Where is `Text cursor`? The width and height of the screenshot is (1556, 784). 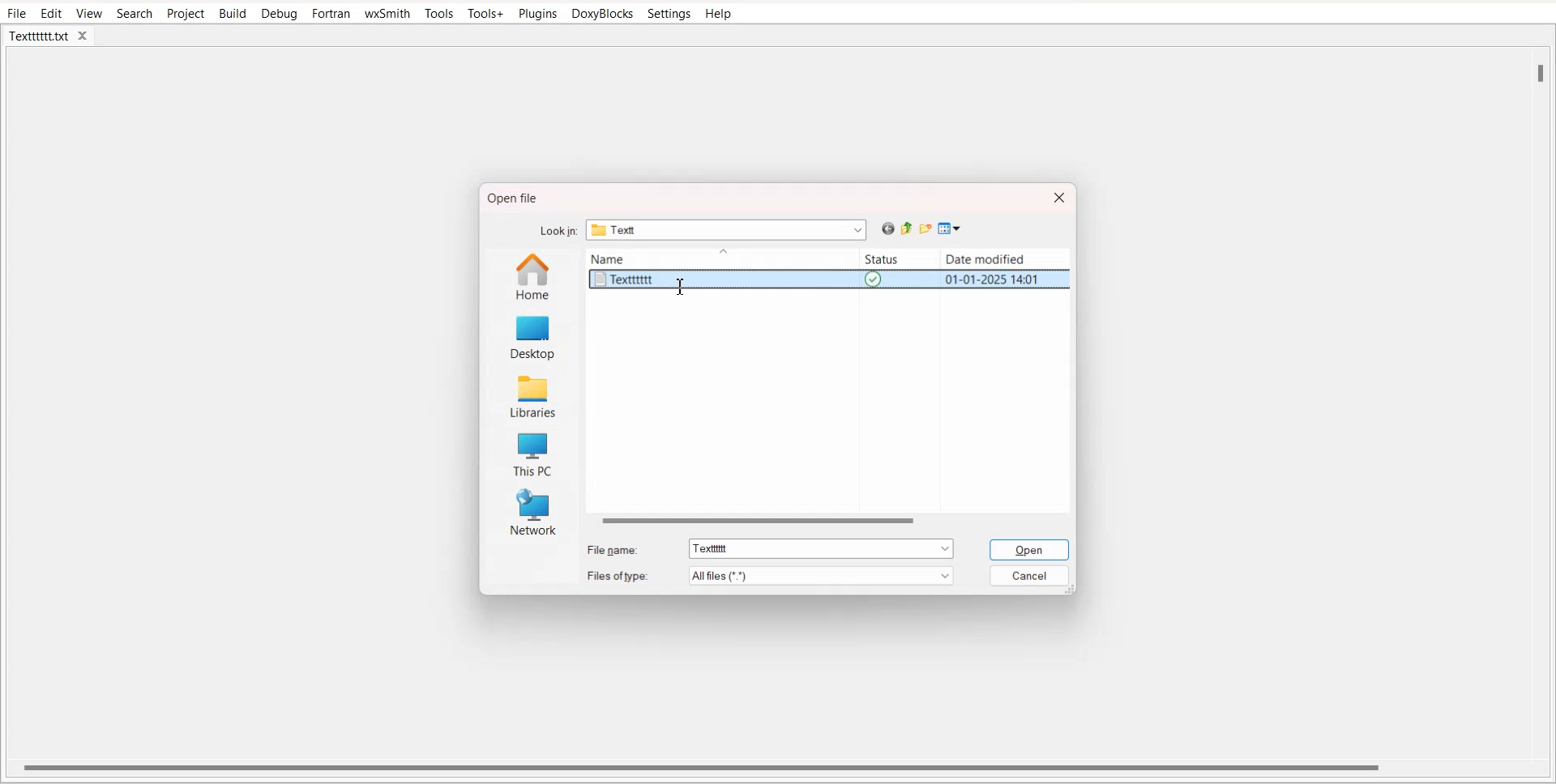
Text cursor is located at coordinates (683, 288).